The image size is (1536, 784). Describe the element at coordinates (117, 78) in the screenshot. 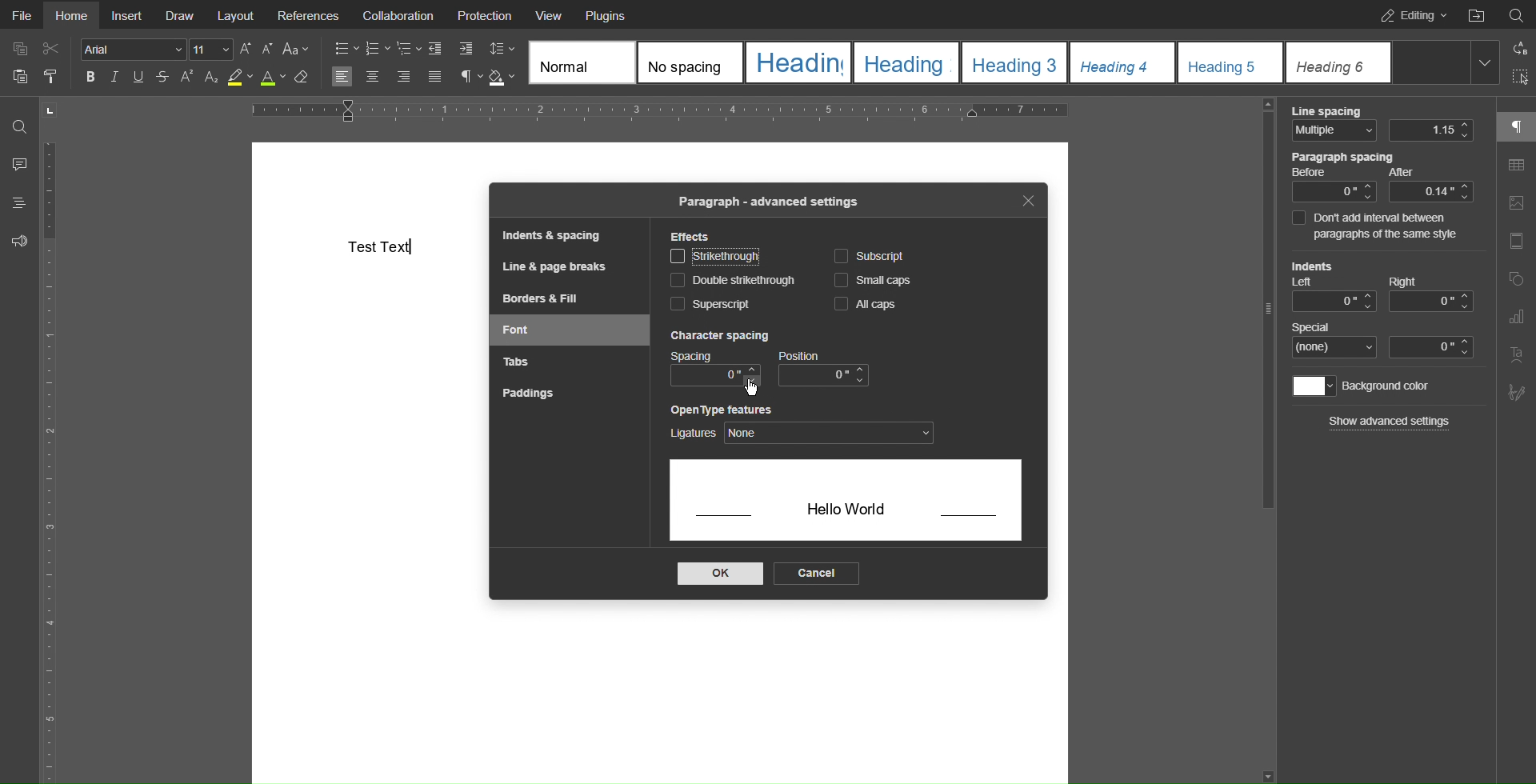

I see `Italics` at that location.